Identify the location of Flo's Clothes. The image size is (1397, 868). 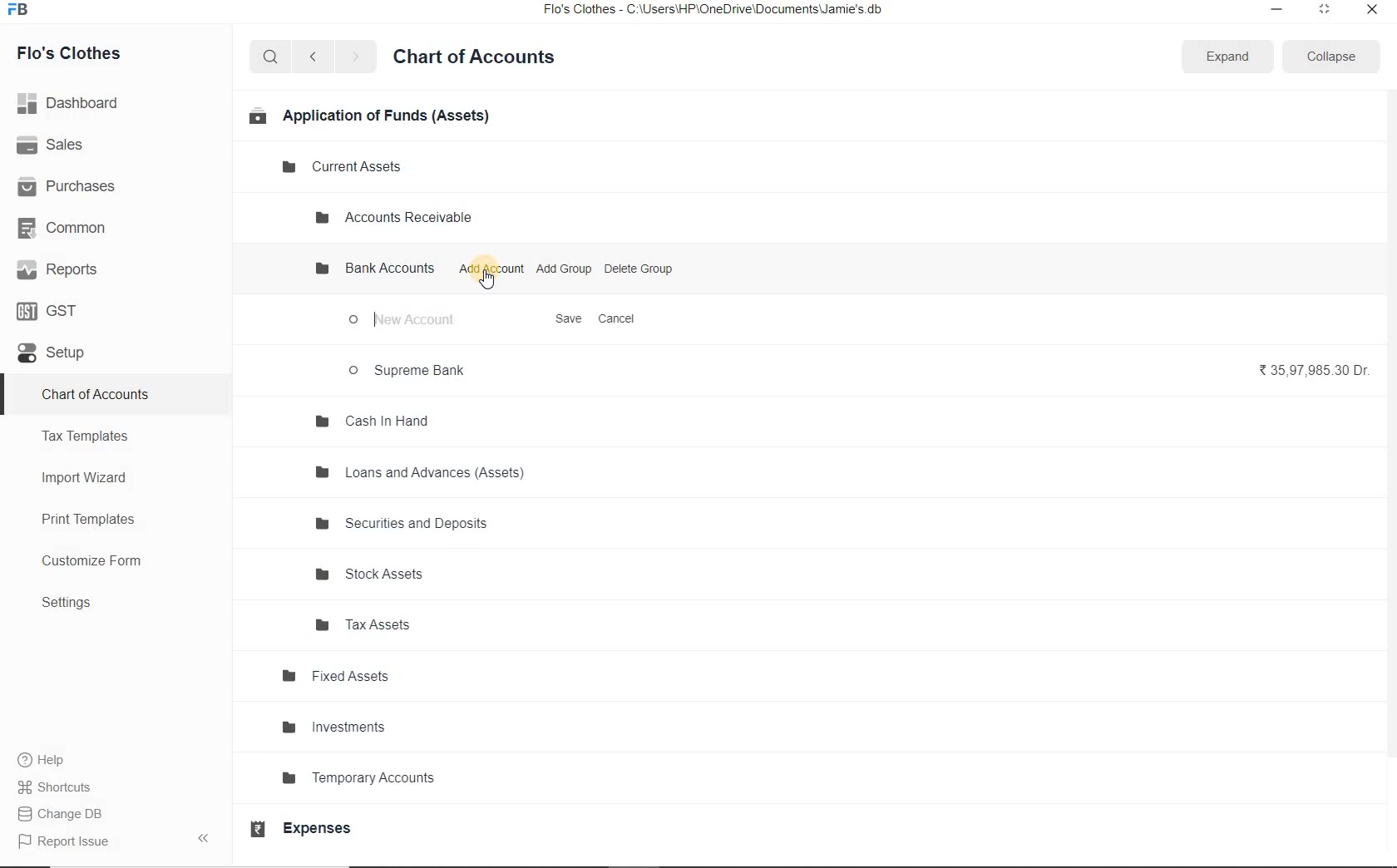
(81, 53).